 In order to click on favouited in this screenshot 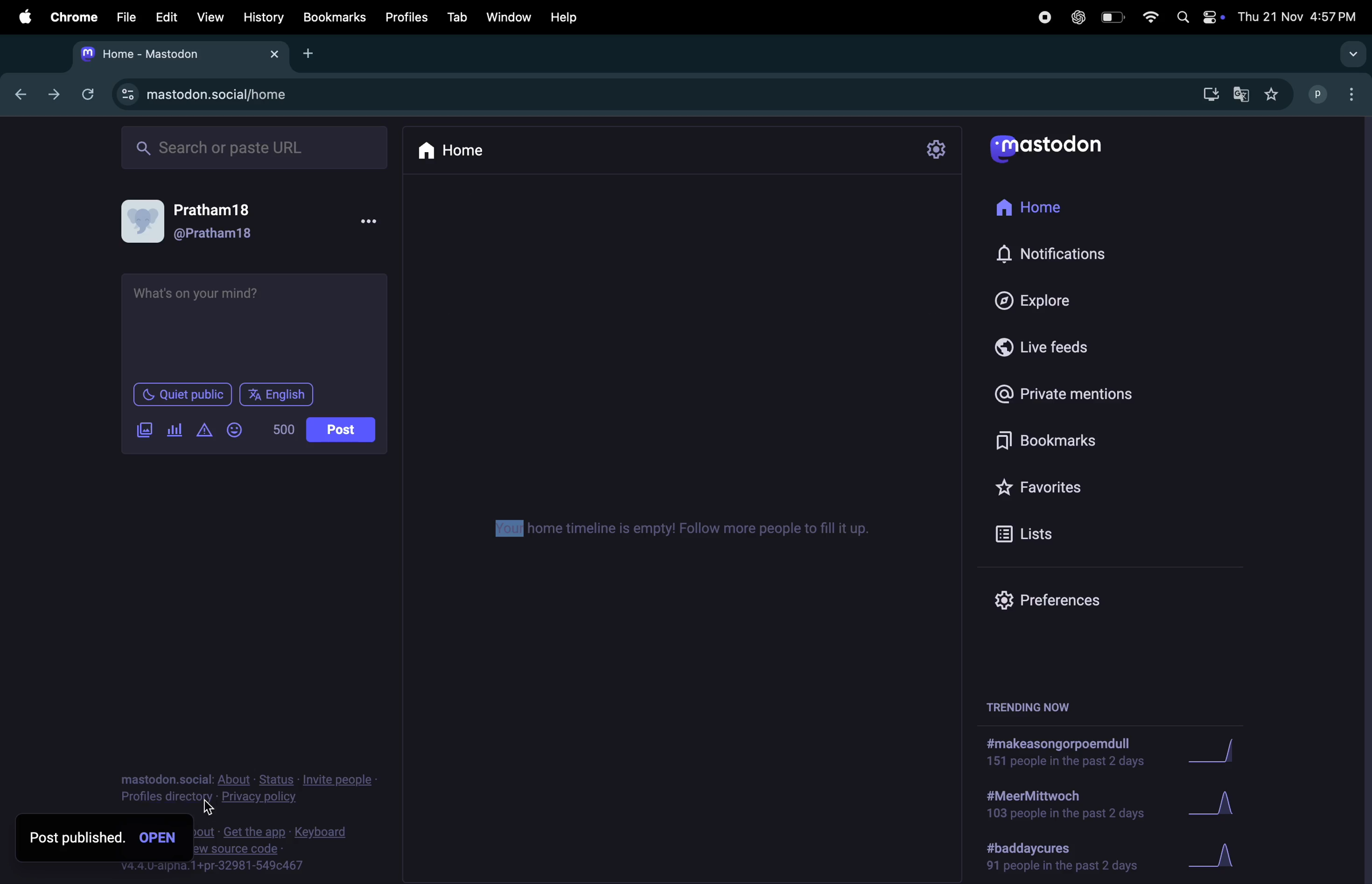, I will do `click(1276, 94)`.